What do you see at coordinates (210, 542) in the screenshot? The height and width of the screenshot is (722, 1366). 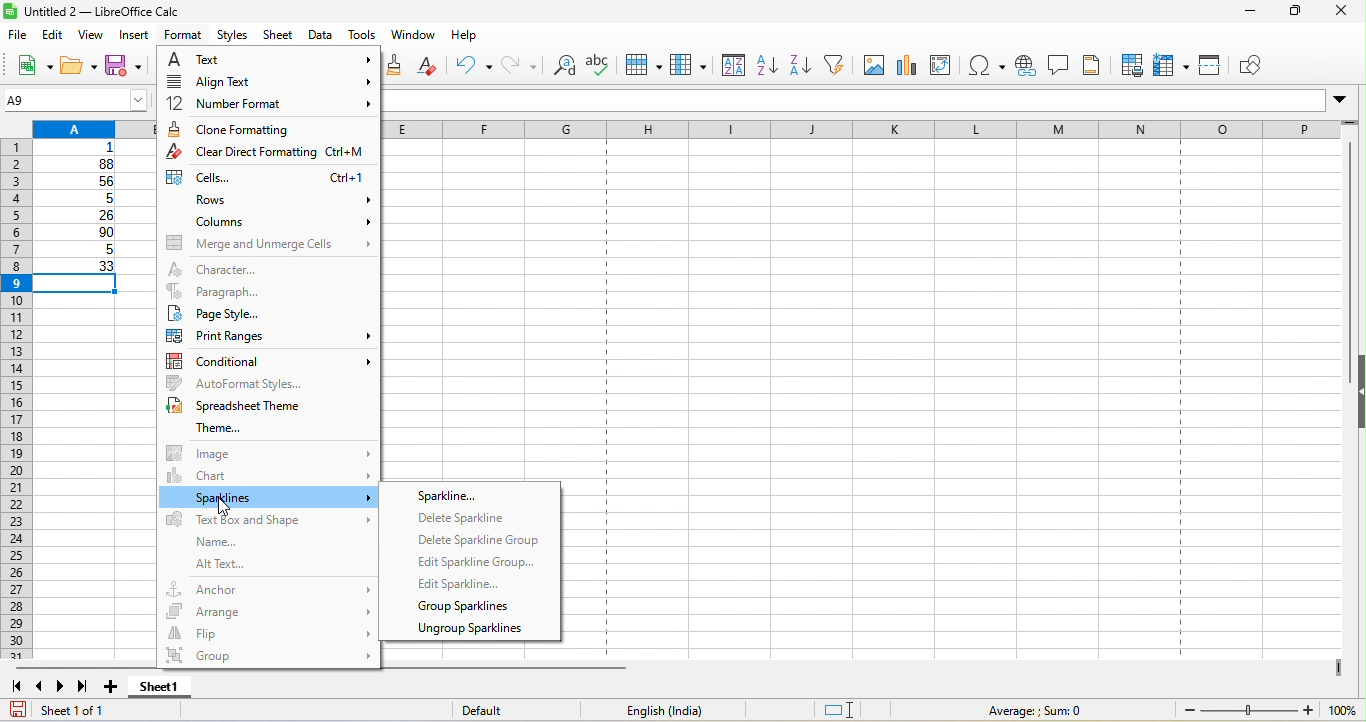 I see `name` at bounding box center [210, 542].